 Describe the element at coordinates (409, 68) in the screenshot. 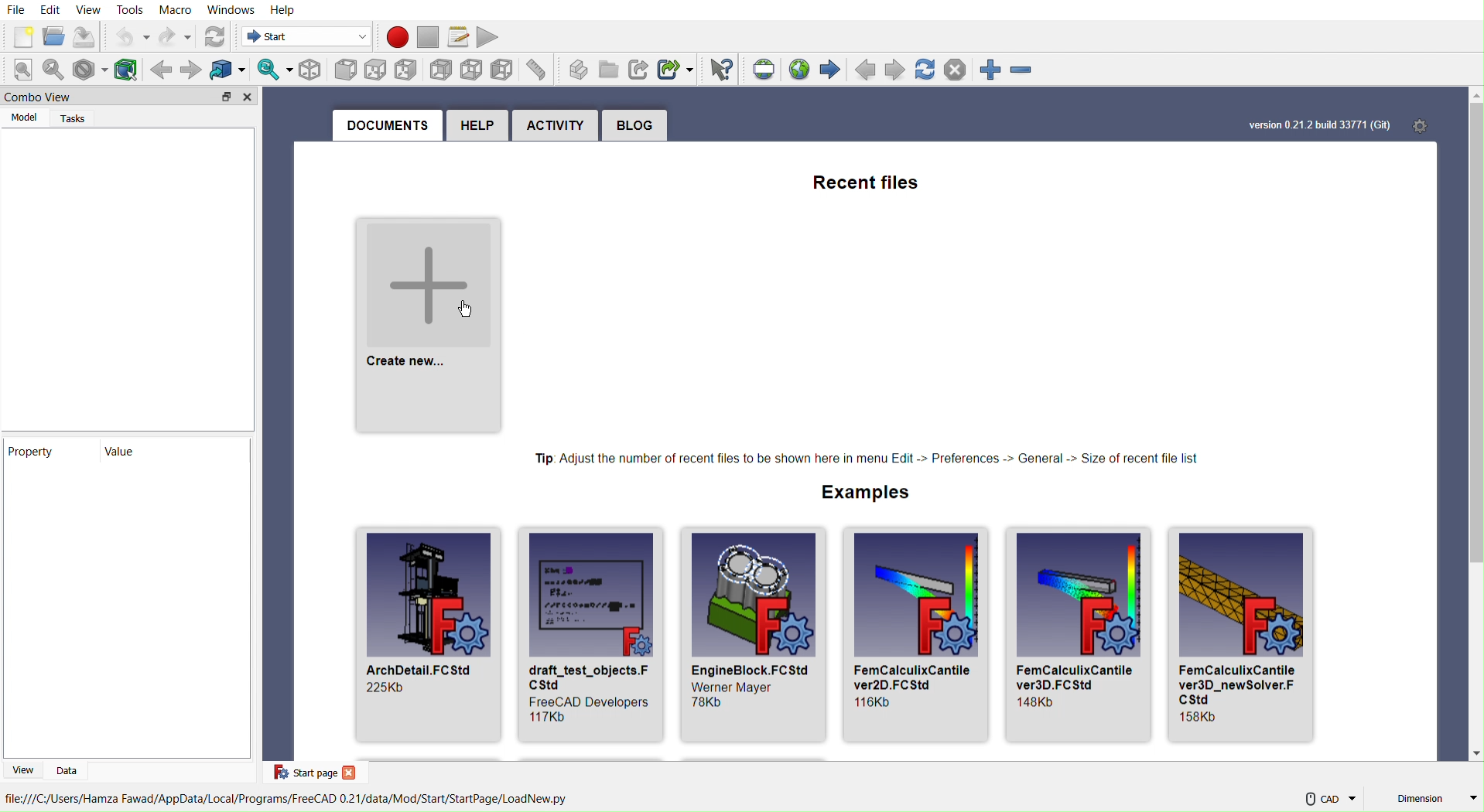

I see `Set to right view` at that location.